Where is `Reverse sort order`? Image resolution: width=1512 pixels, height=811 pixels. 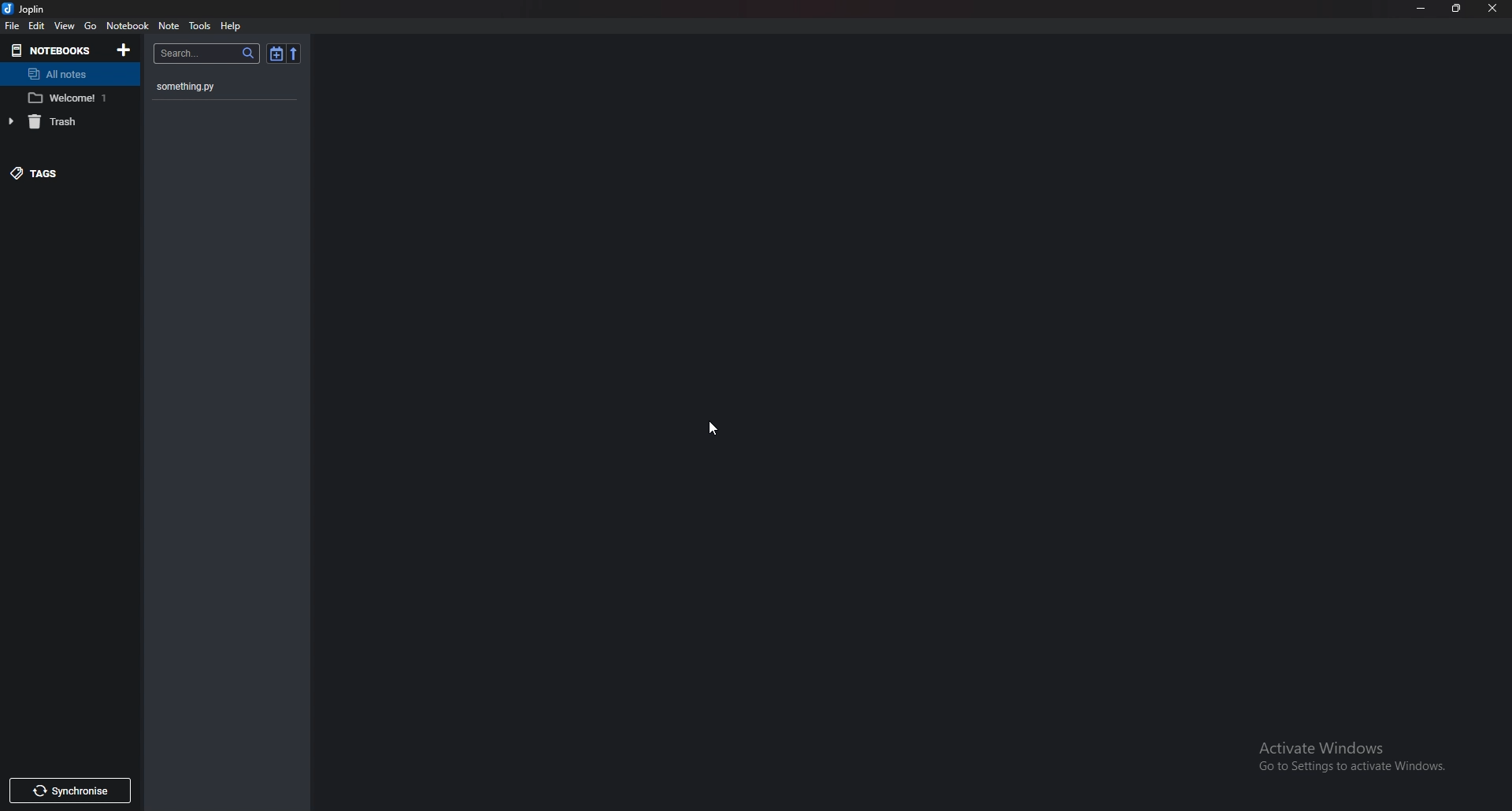 Reverse sort order is located at coordinates (292, 54).